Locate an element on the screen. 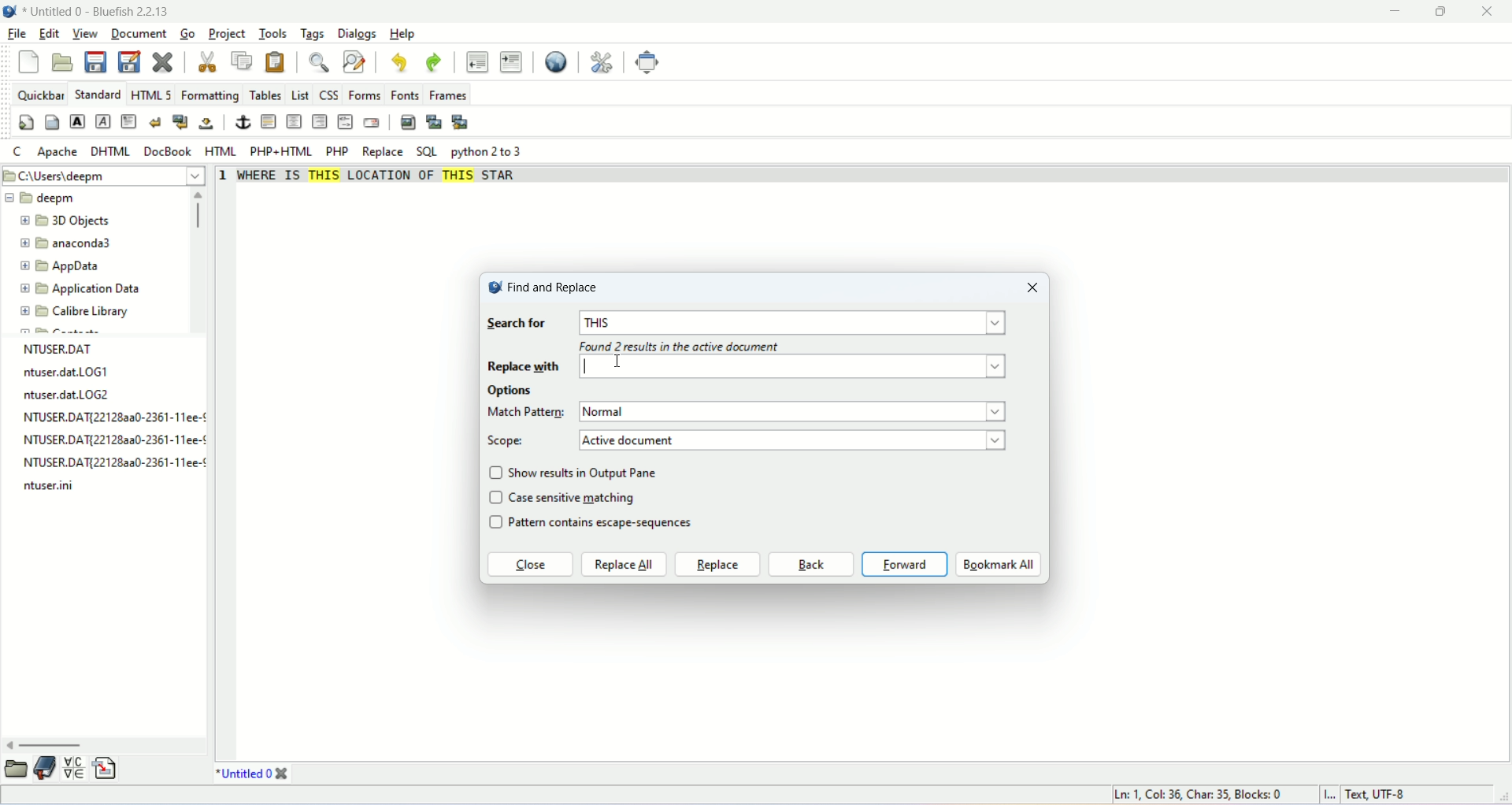 Image resolution: width=1512 pixels, height=805 pixels. fullscreen is located at coordinates (650, 63).